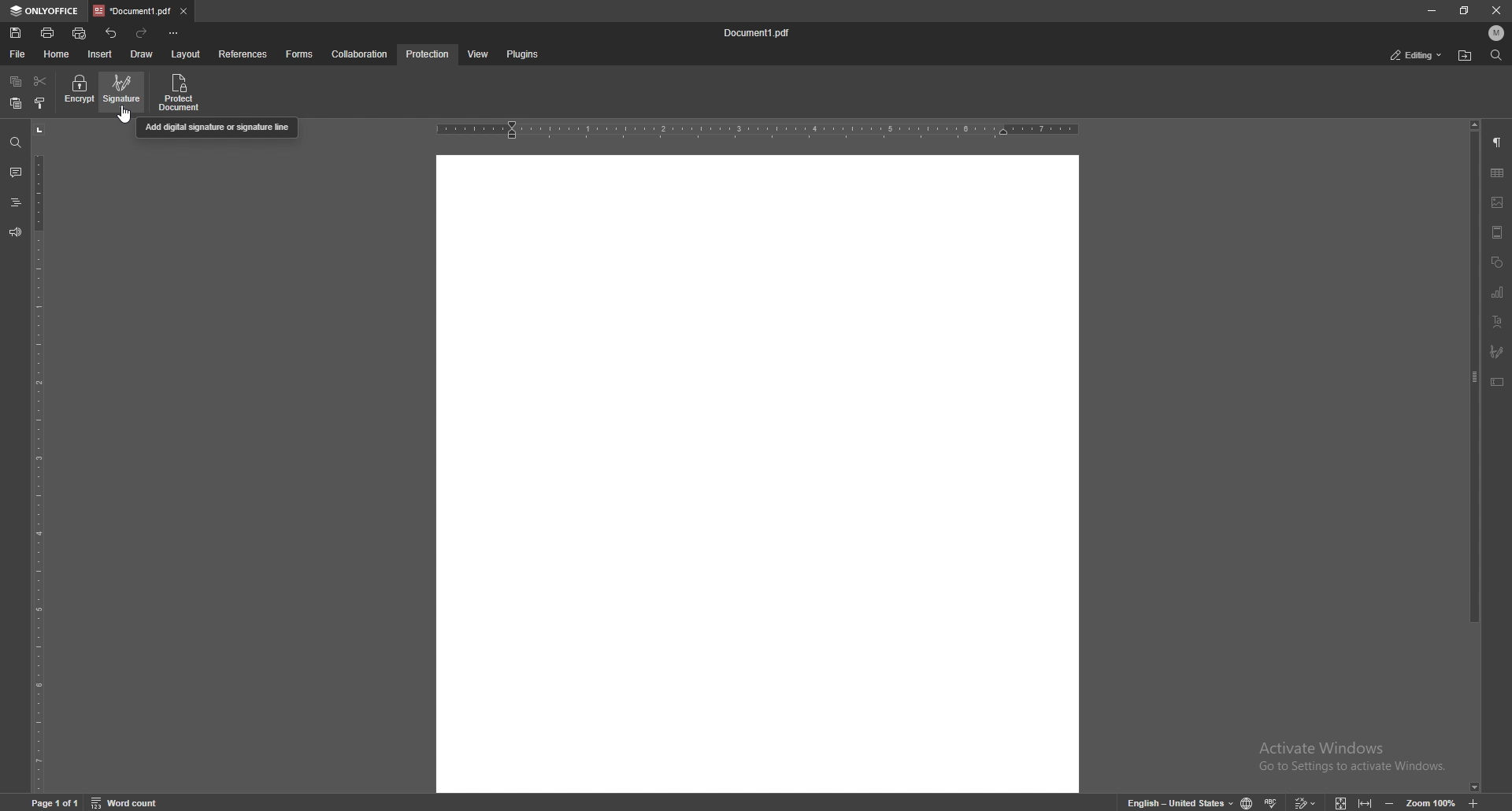 Image resolution: width=1512 pixels, height=811 pixels. What do you see at coordinates (49, 32) in the screenshot?
I see `print` at bounding box center [49, 32].